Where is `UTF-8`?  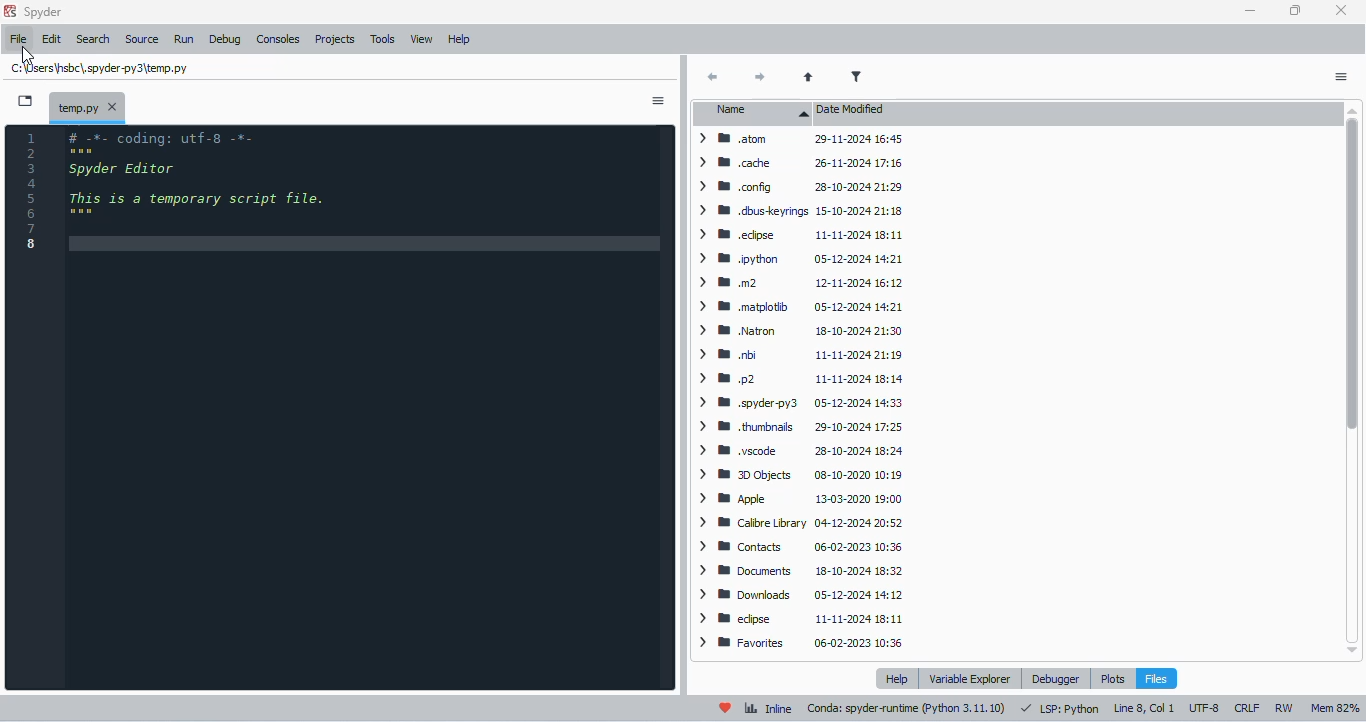 UTF-8 is located at coordinates (1205, 709).